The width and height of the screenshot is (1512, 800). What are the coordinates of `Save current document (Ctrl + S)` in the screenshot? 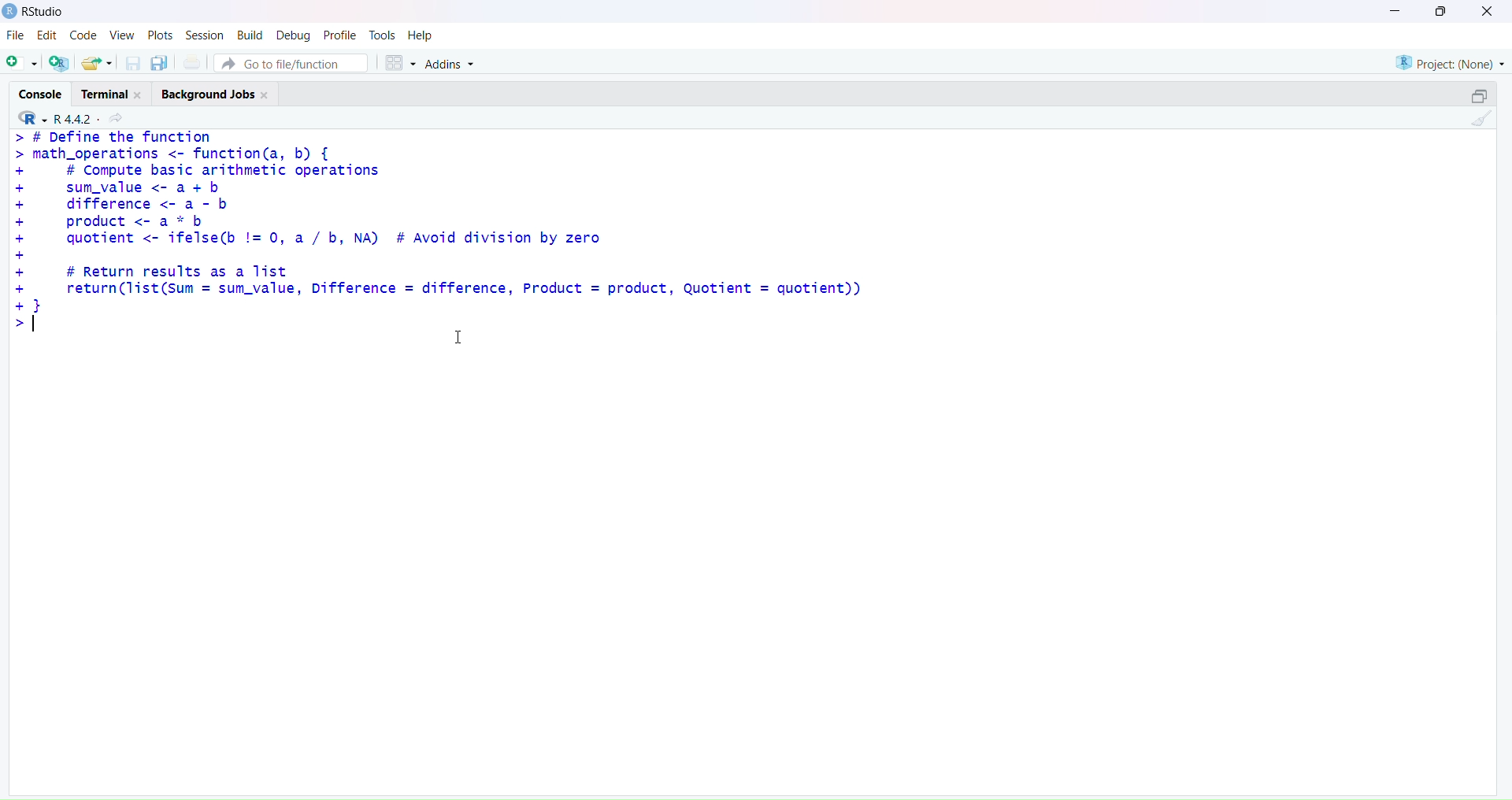 It's located at (133, 61).